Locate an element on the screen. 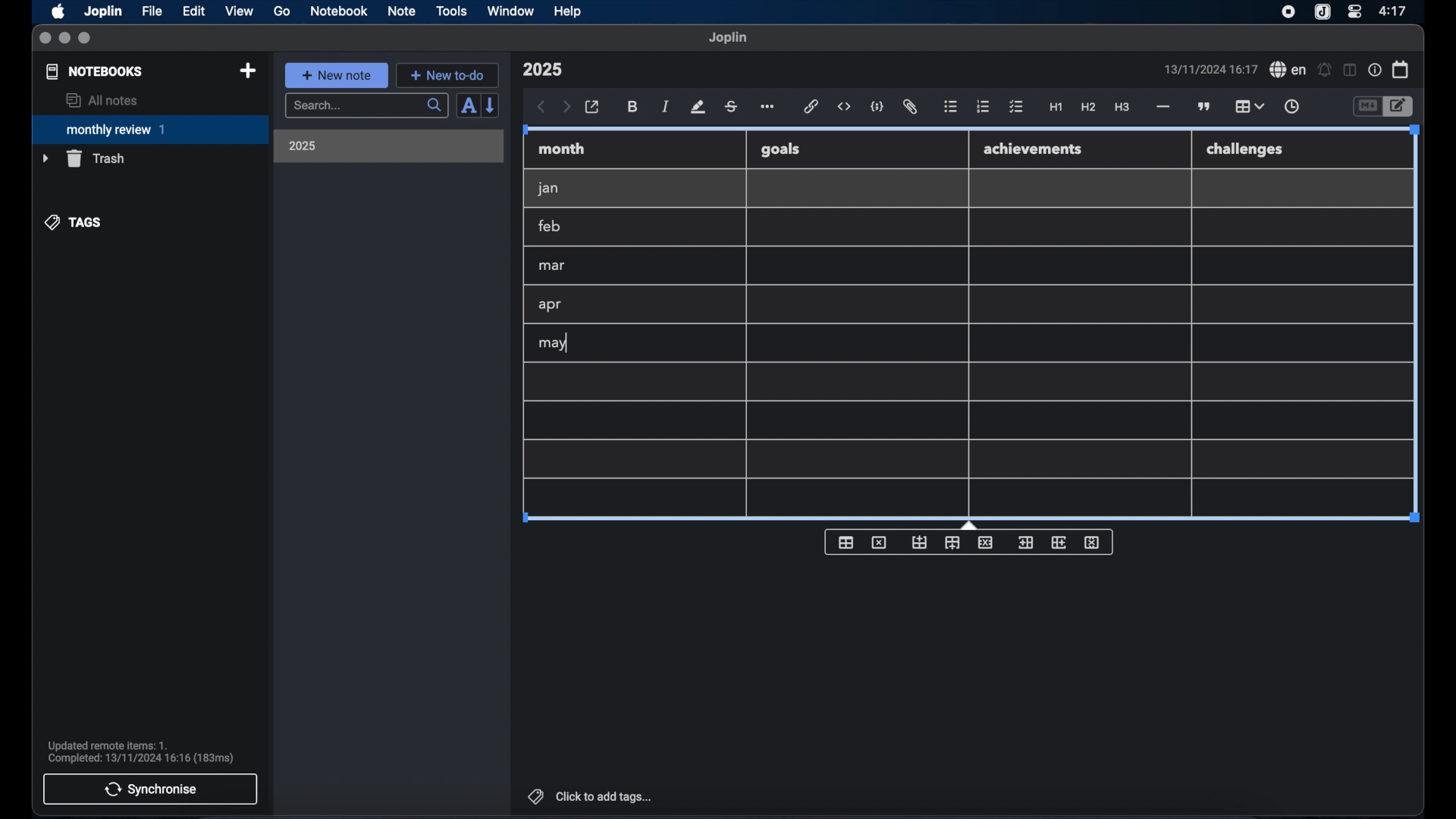 This screenshot has width=1456, height=819. attach file is located at coordinates (910, 107).